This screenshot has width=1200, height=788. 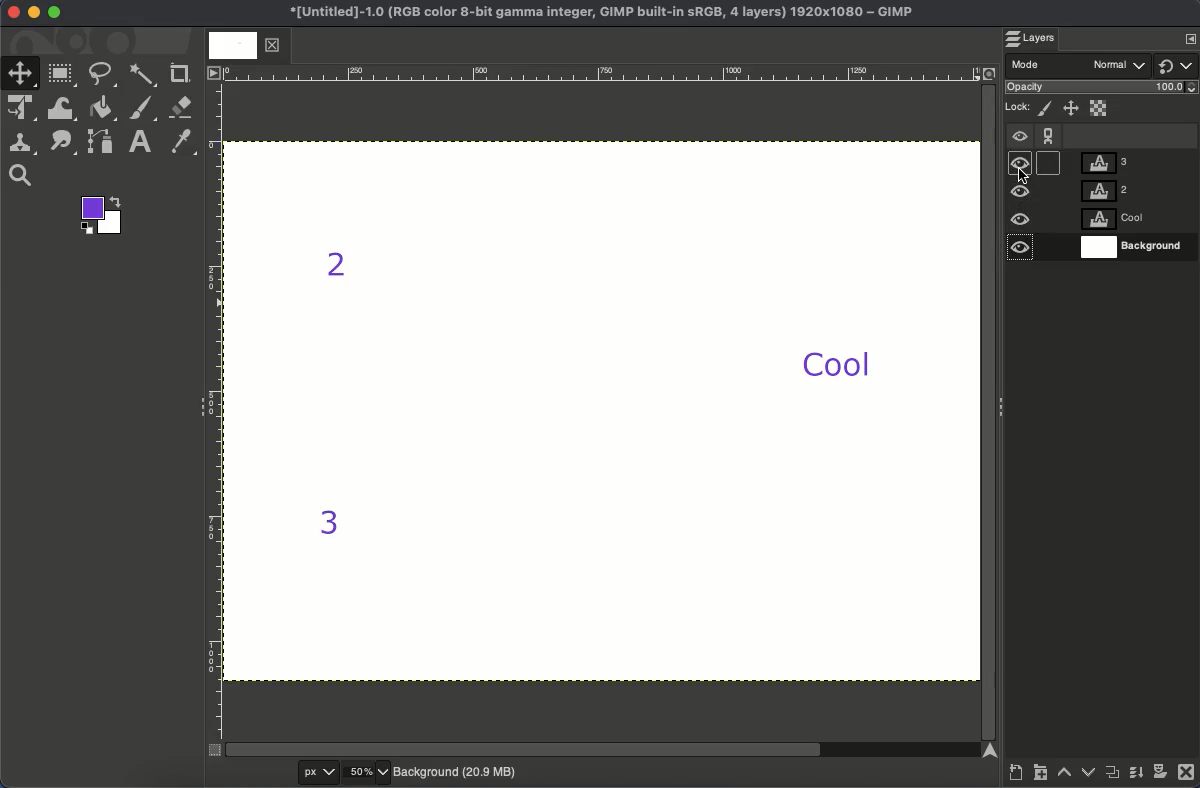 I want to click on Ruler, so click(x=214, y=412).